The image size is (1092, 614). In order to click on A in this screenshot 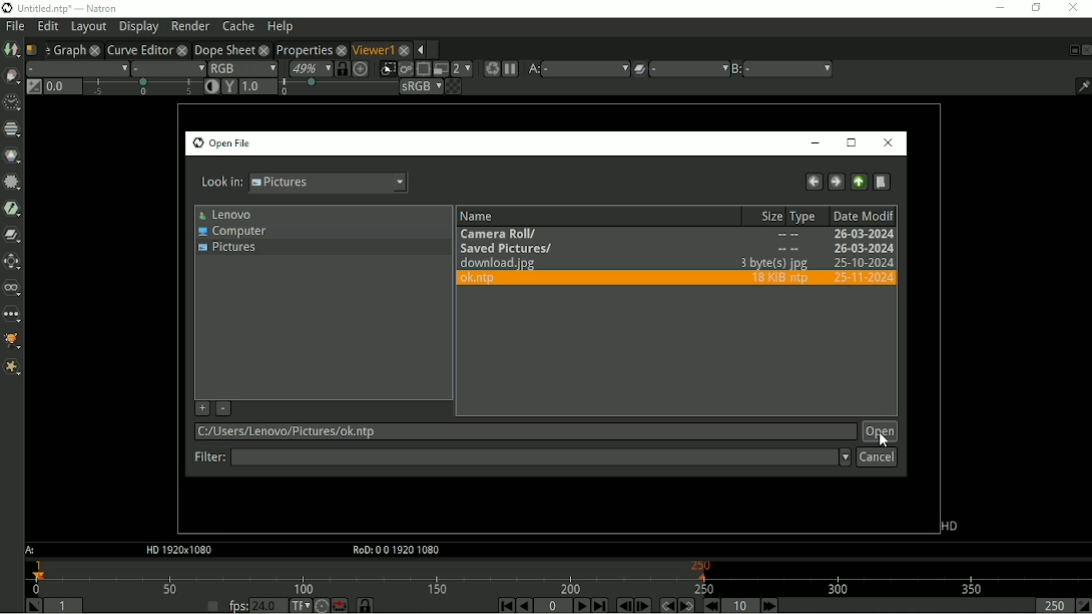, I will do `click(32, 550)`.